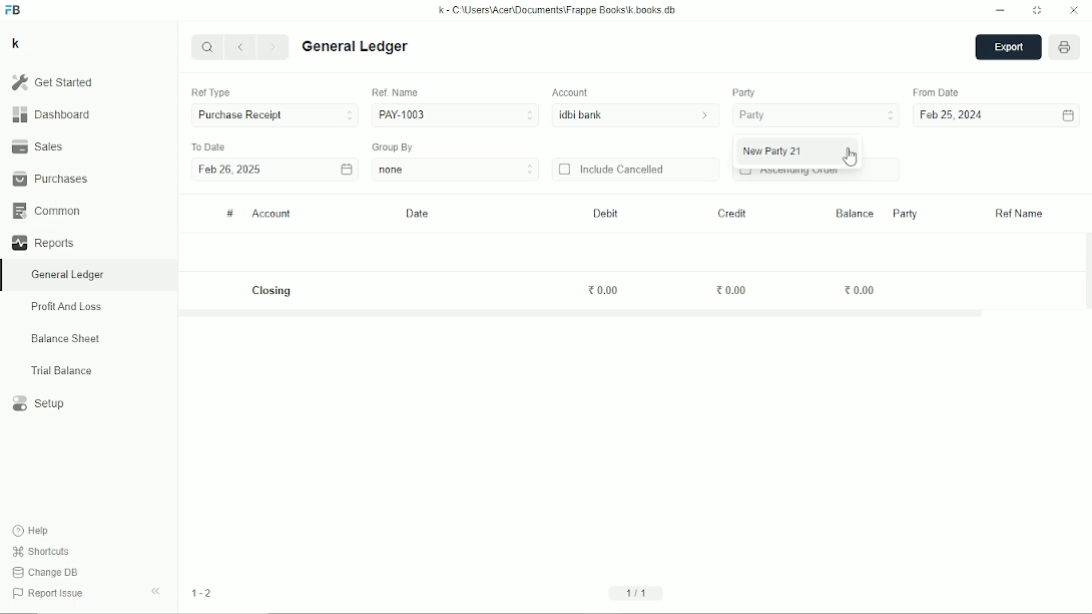  What do you see at coordinates (816, 116) in the screenshot?
I see `Party` at bounding box center [816, 116].